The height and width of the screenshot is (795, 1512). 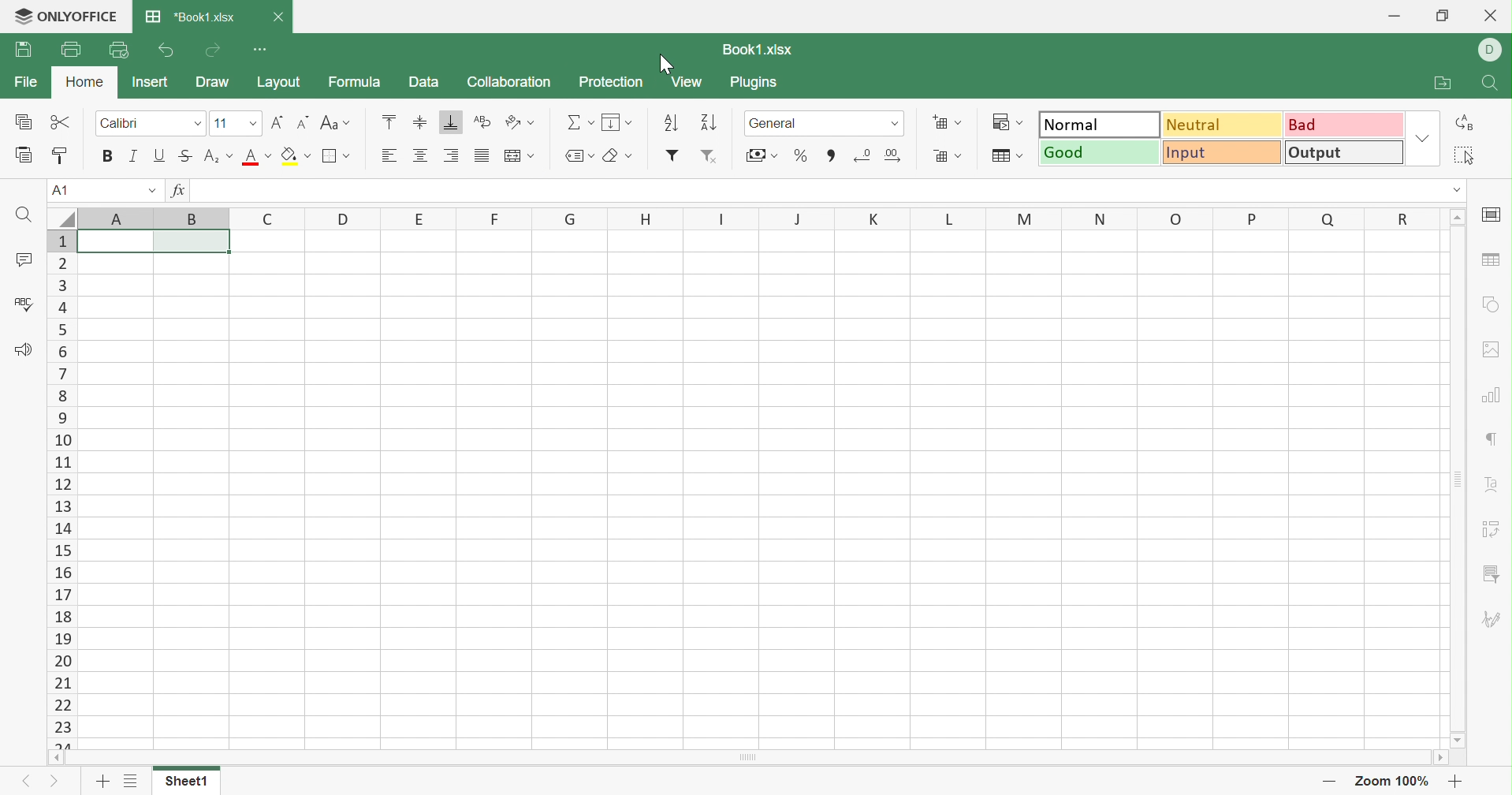 What do you see at coordinates (672, 121) in the screenshot?
I see `Ascending order` at bounding box center [672, 121].